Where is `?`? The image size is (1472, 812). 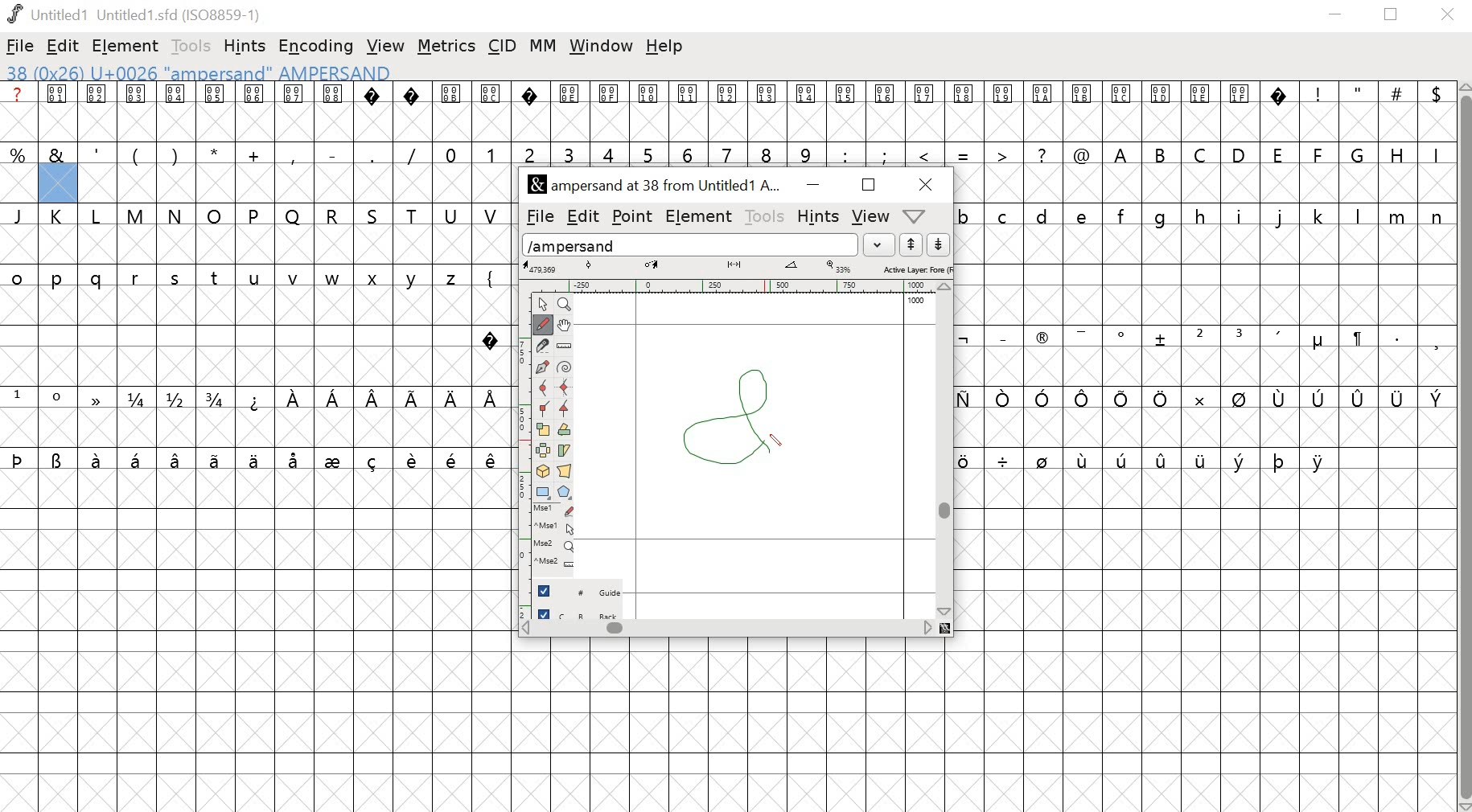
? is located at coordinates (413, 112).